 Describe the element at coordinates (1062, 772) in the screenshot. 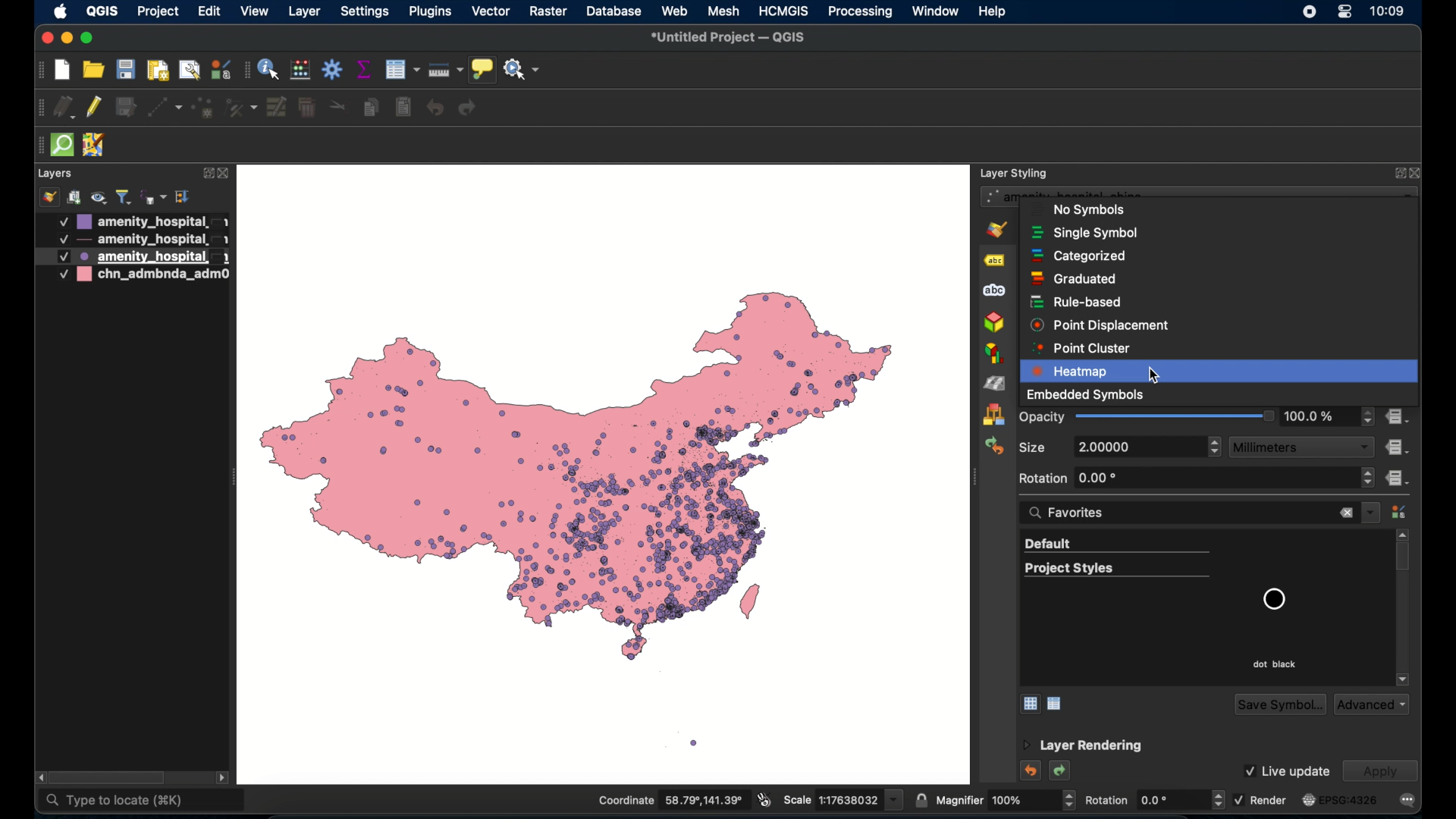

I see `redo` at that location.